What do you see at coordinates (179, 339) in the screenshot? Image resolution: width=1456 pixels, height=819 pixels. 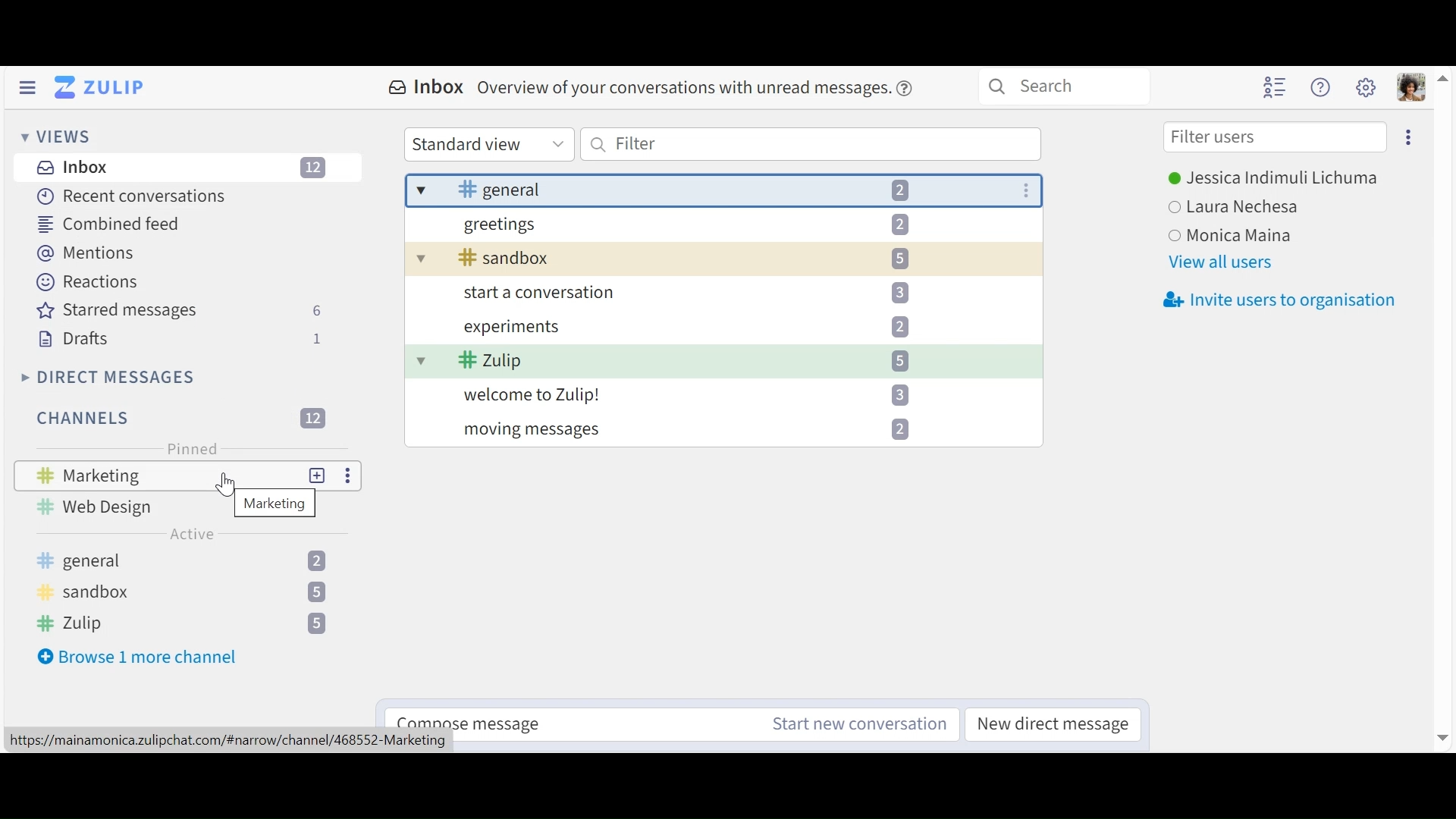 I see `Drafts` at bounding box center [179, 339].